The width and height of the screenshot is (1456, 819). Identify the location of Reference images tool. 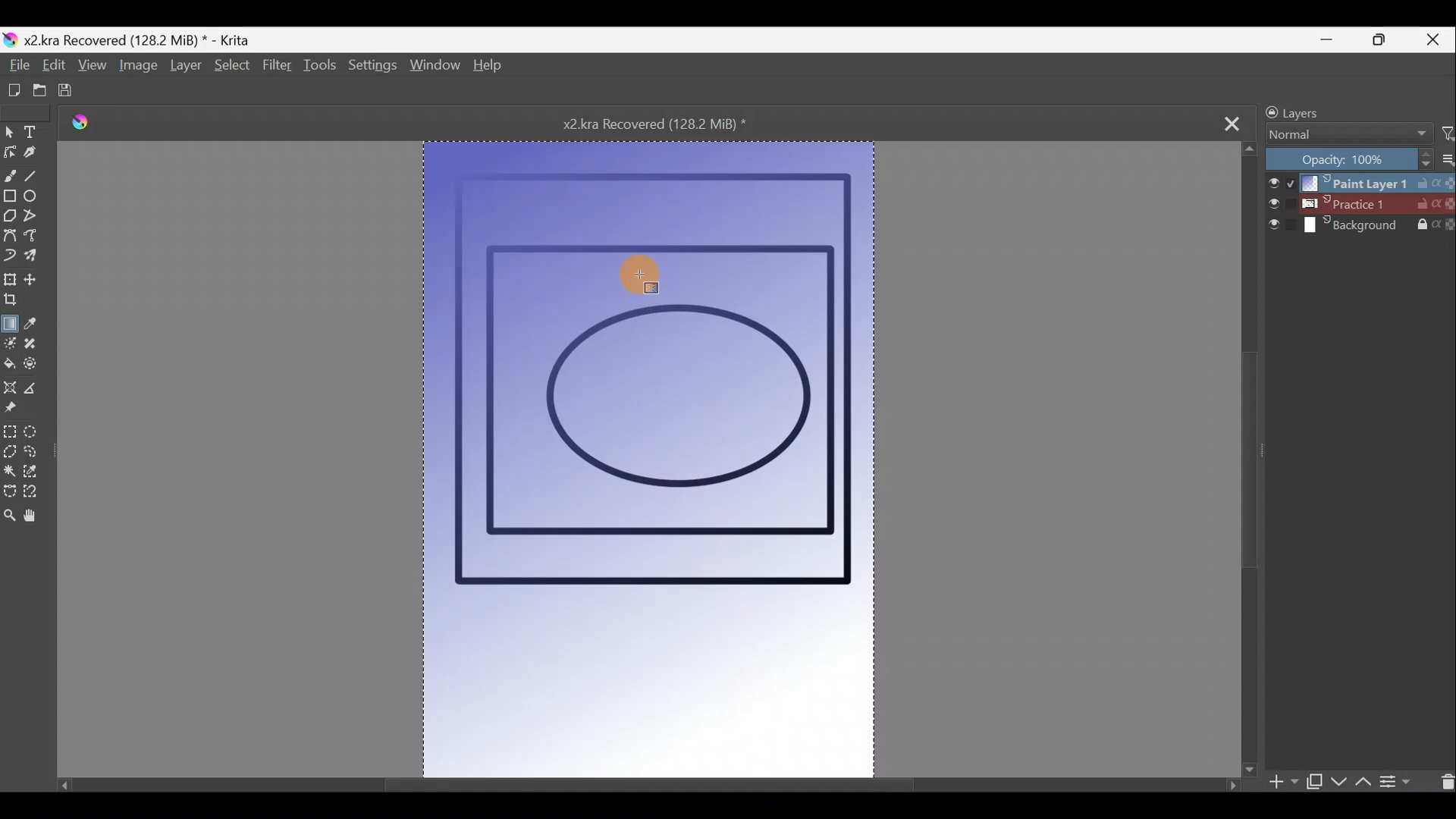
(11, 413).